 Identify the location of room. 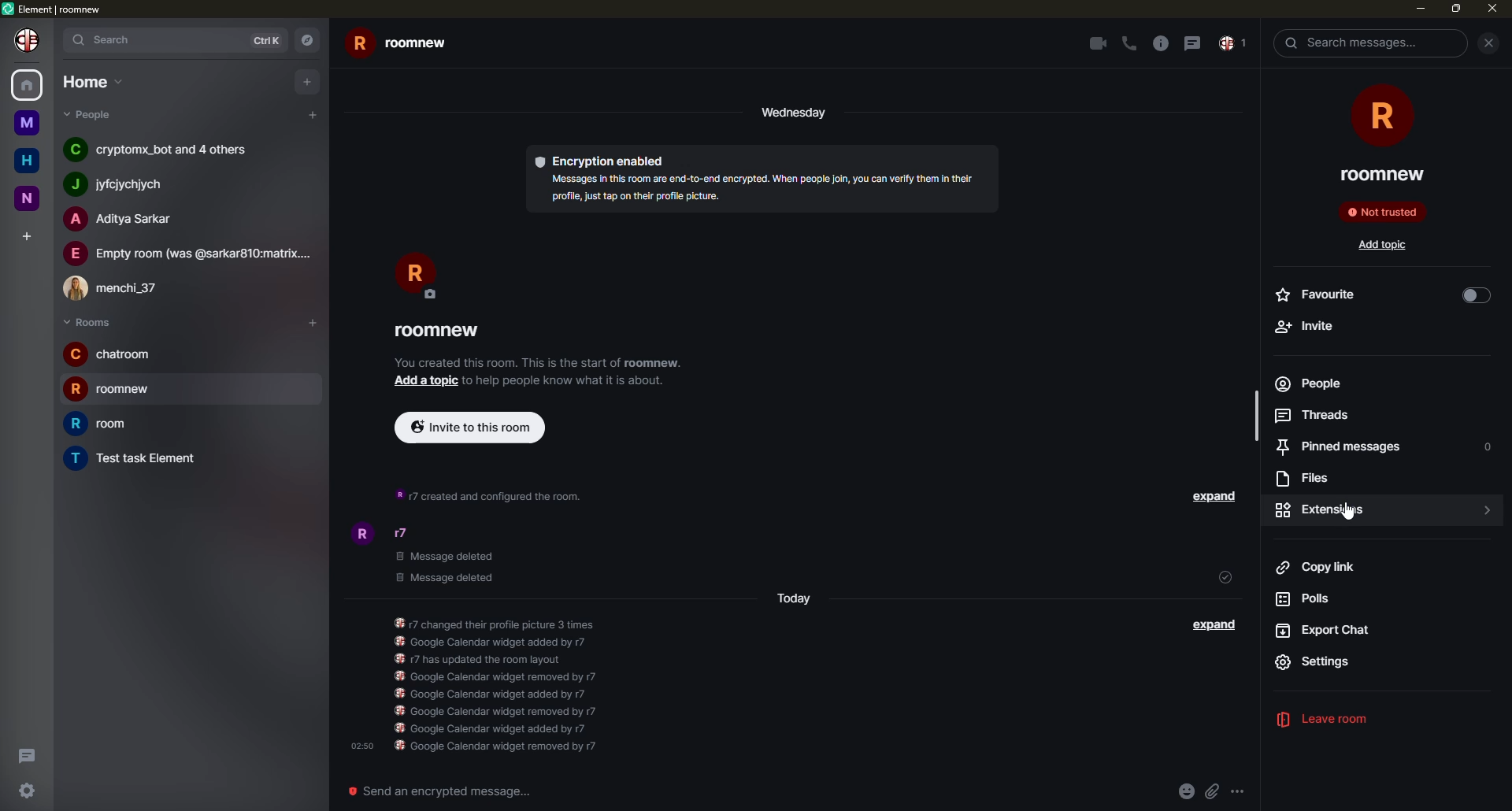
(113, 388).